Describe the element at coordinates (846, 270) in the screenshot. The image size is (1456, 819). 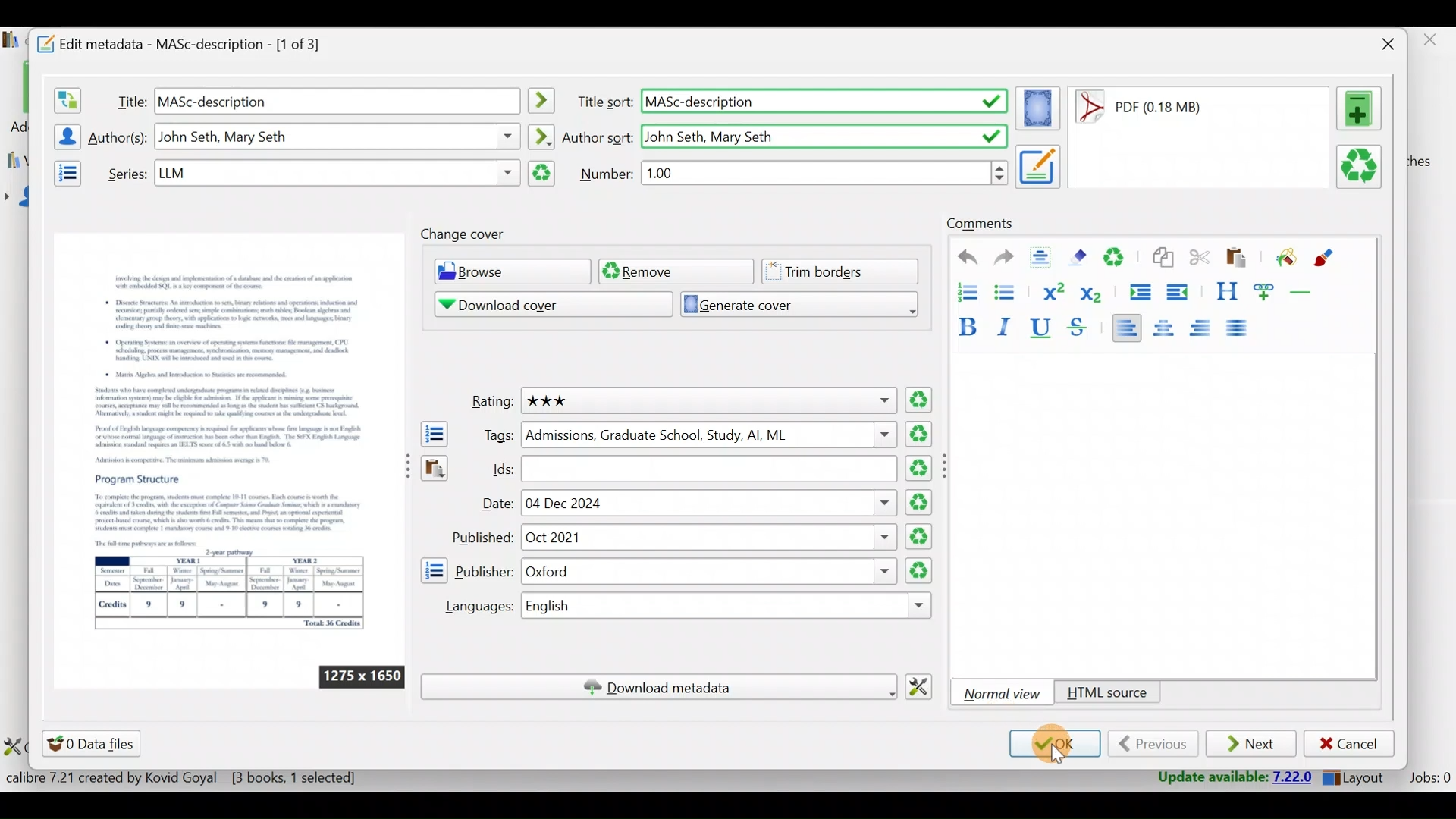
I see `Trim borders` at that location.